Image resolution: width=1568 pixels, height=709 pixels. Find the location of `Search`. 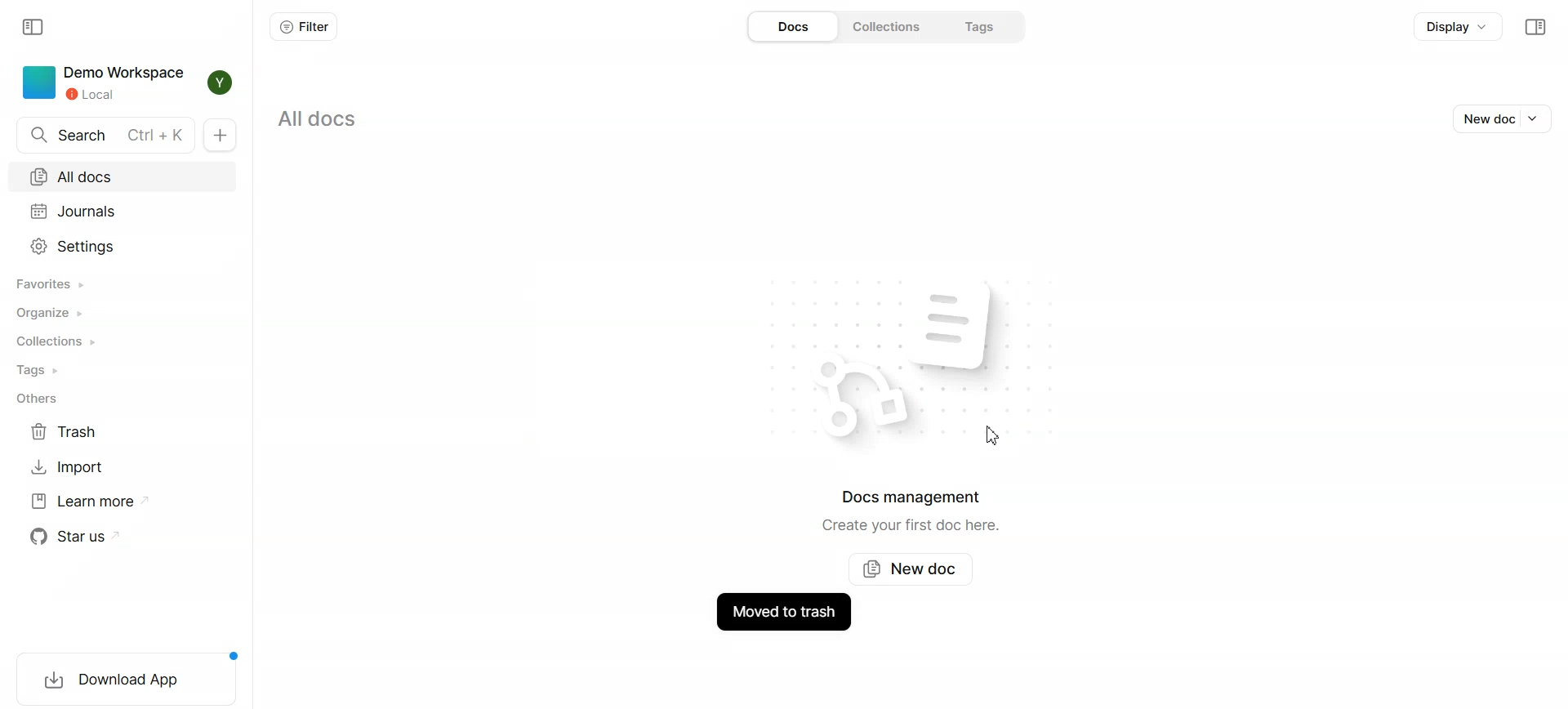

Search is located at coordinates (106, 136).